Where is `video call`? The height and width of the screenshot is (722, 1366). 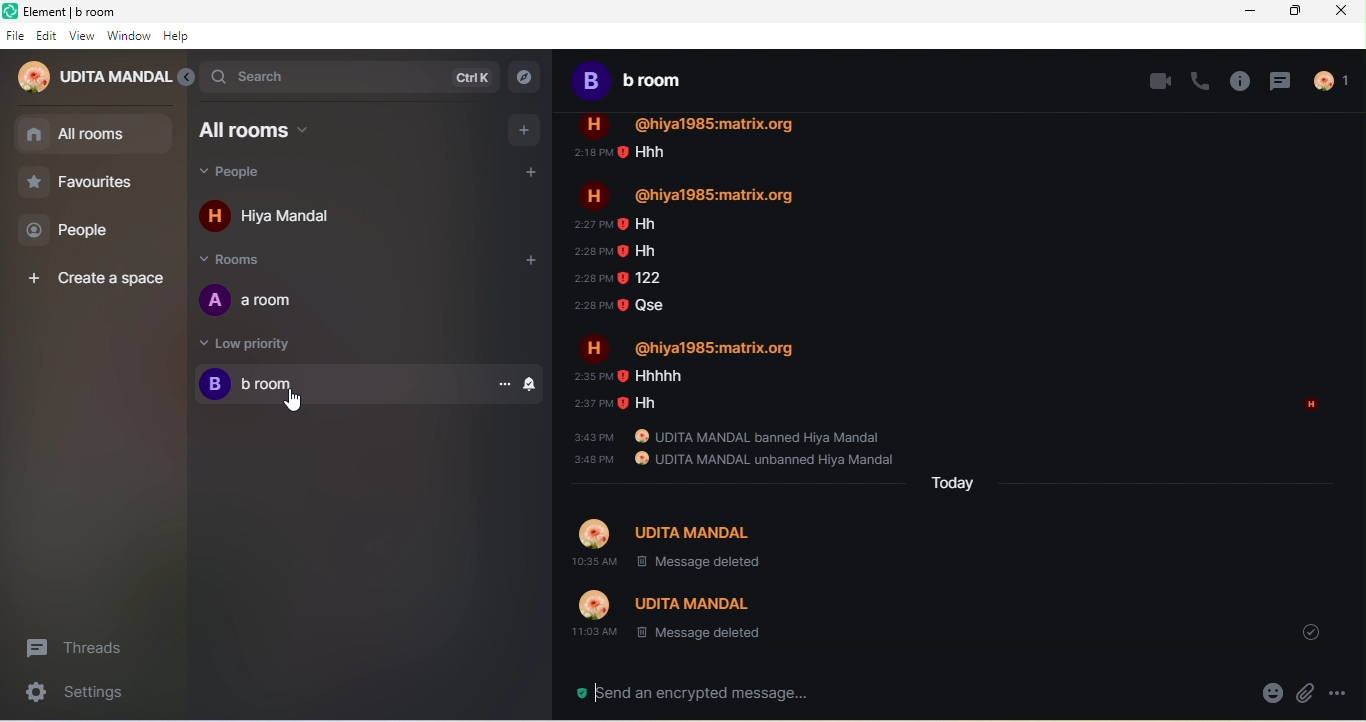 video call is located at coordinates (1161, 83).